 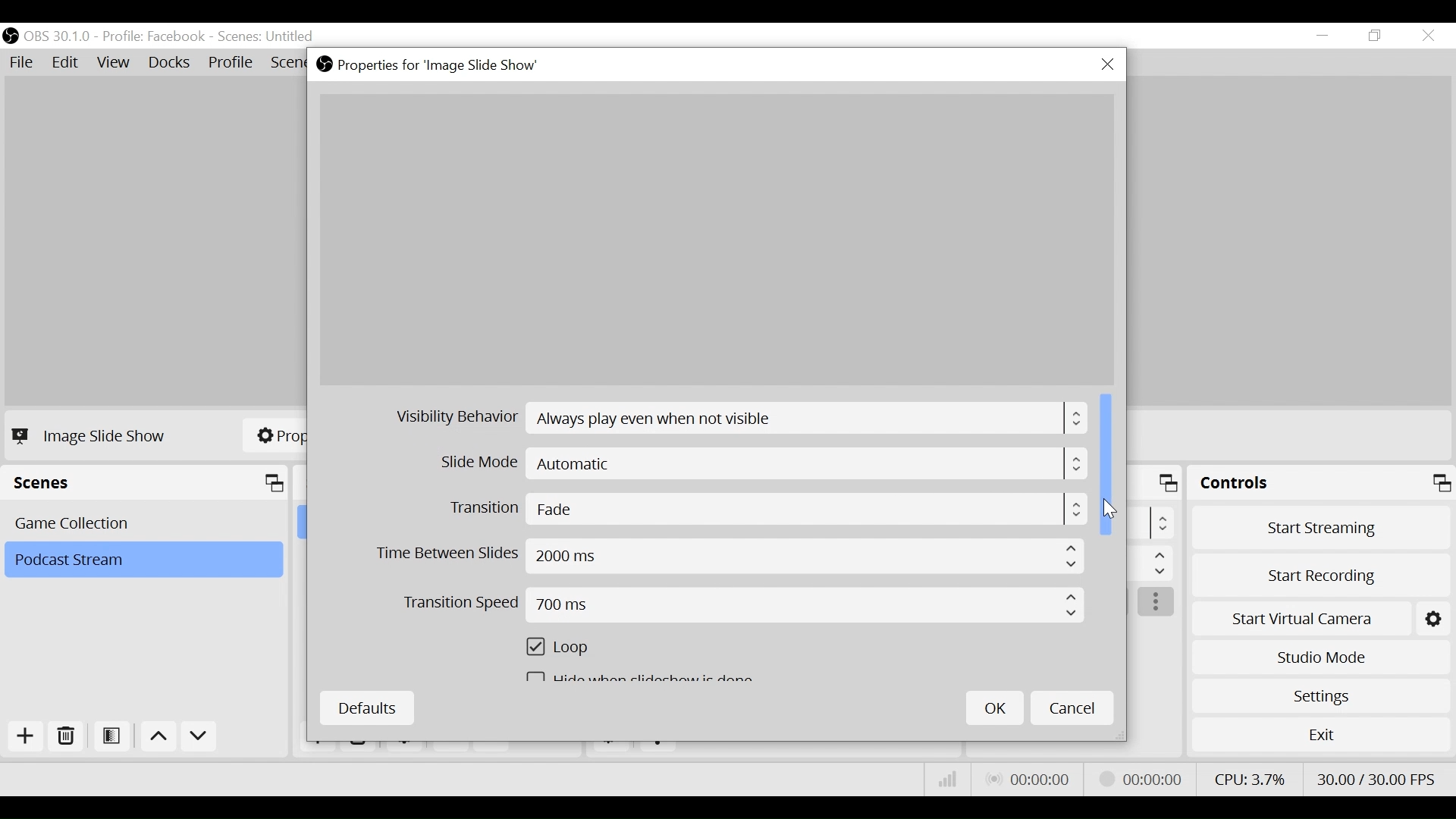 What do you see at coordinates (716, 240) in the screenshot?
I see `Preview Image Slide Show` at bounding box center [716, 240].